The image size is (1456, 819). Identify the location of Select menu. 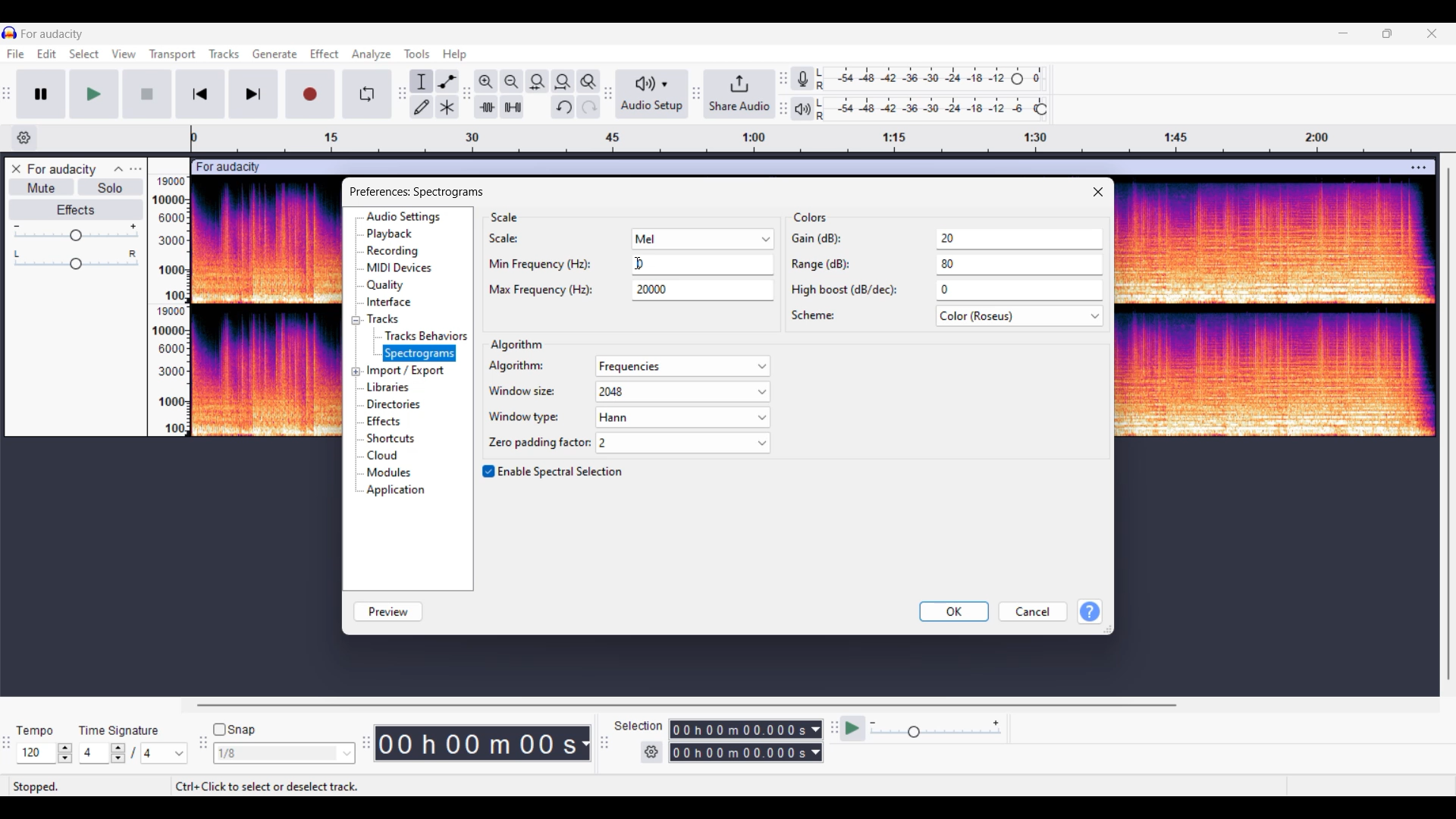
(84, 54).